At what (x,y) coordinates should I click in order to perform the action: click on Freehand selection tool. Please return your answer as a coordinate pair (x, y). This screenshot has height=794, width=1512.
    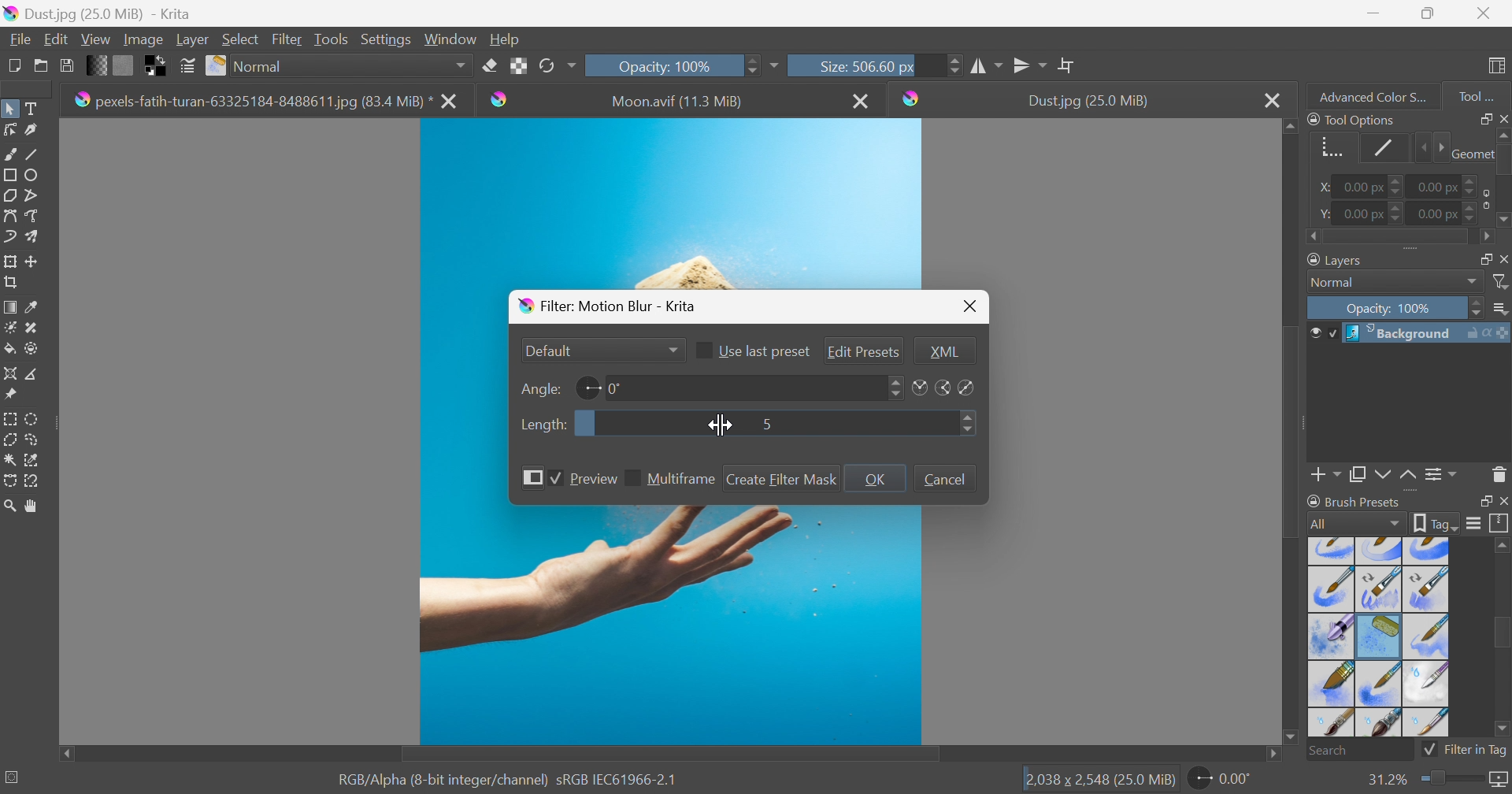
    Looking at the image, I should click on (33, 440).